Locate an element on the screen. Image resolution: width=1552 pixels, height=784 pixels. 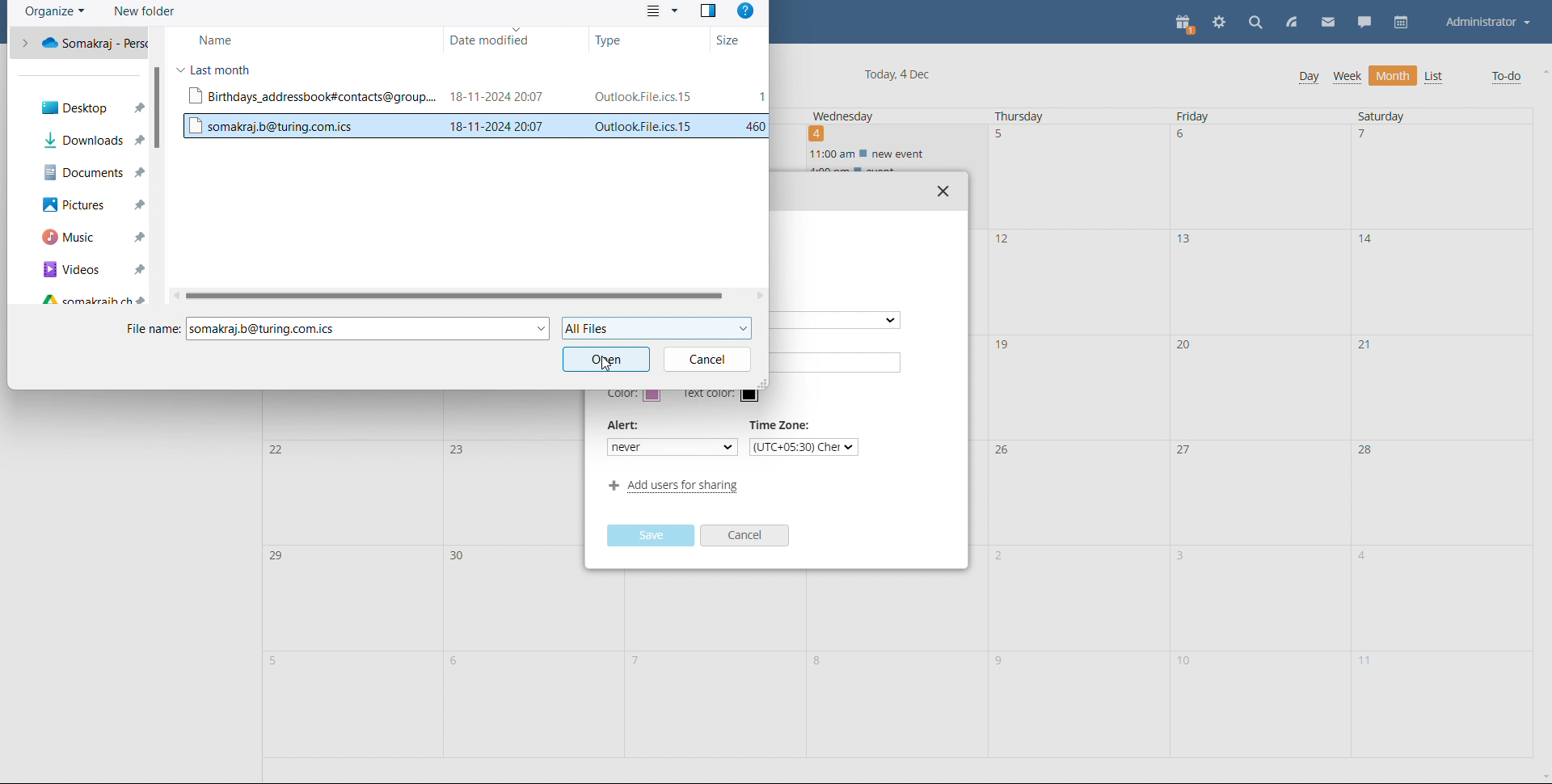
type is located at coordinates (639, 39).